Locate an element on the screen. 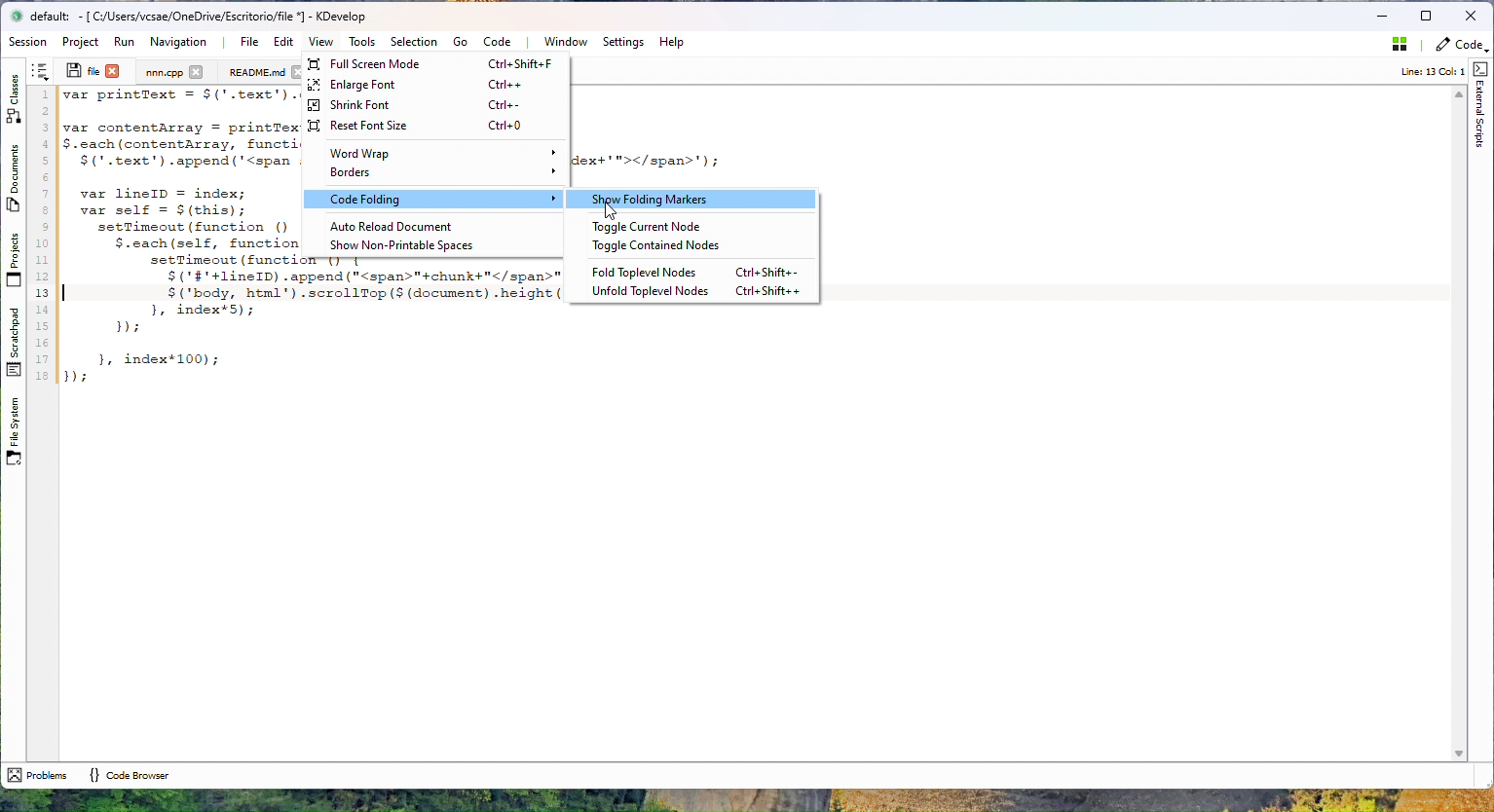 This screenshot has height=812, width=1494. Reset Font Size is located at coordinates (430, 126).